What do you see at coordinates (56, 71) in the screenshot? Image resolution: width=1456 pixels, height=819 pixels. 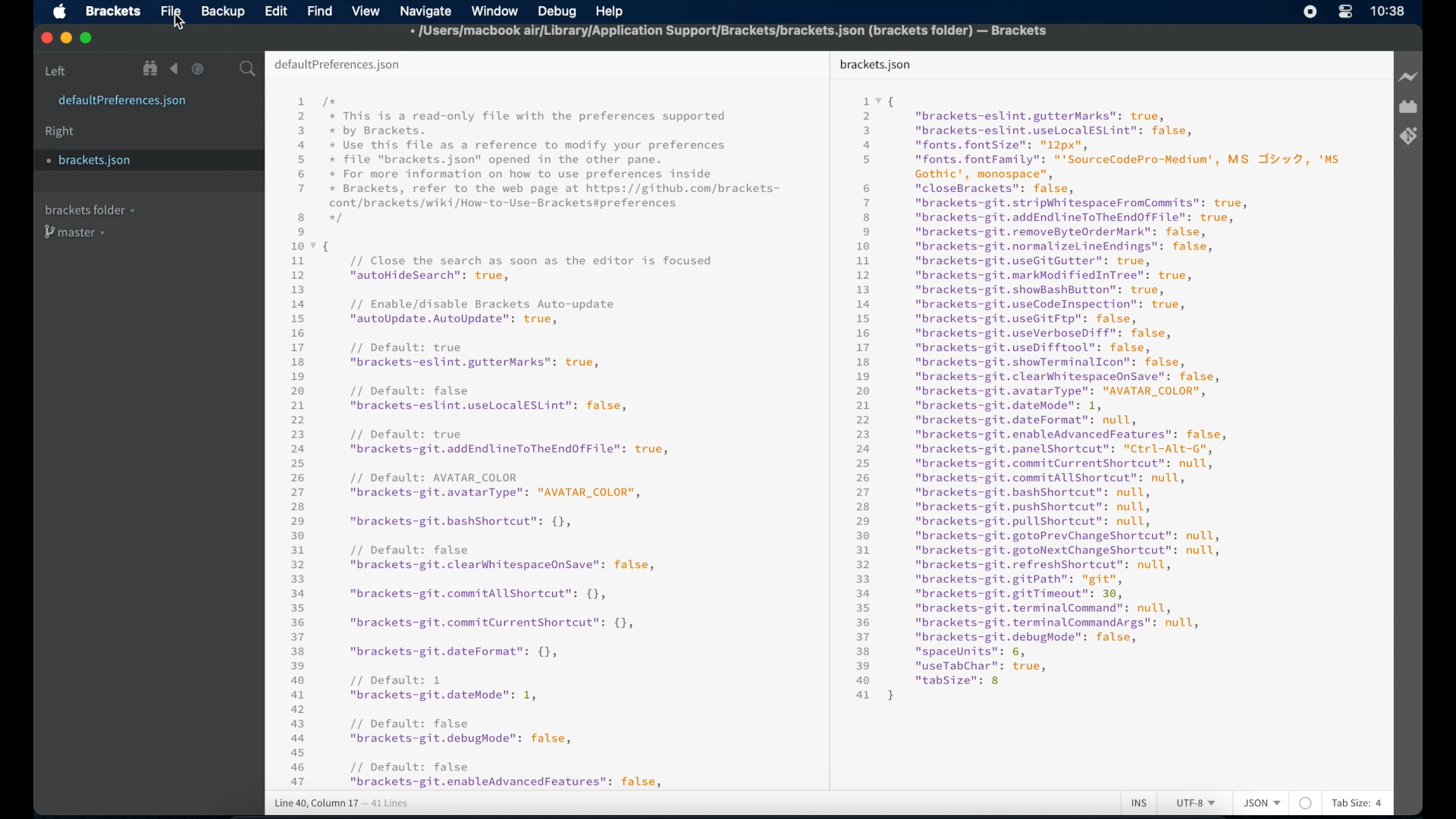 I see `left` at bounding box center [56, 71].